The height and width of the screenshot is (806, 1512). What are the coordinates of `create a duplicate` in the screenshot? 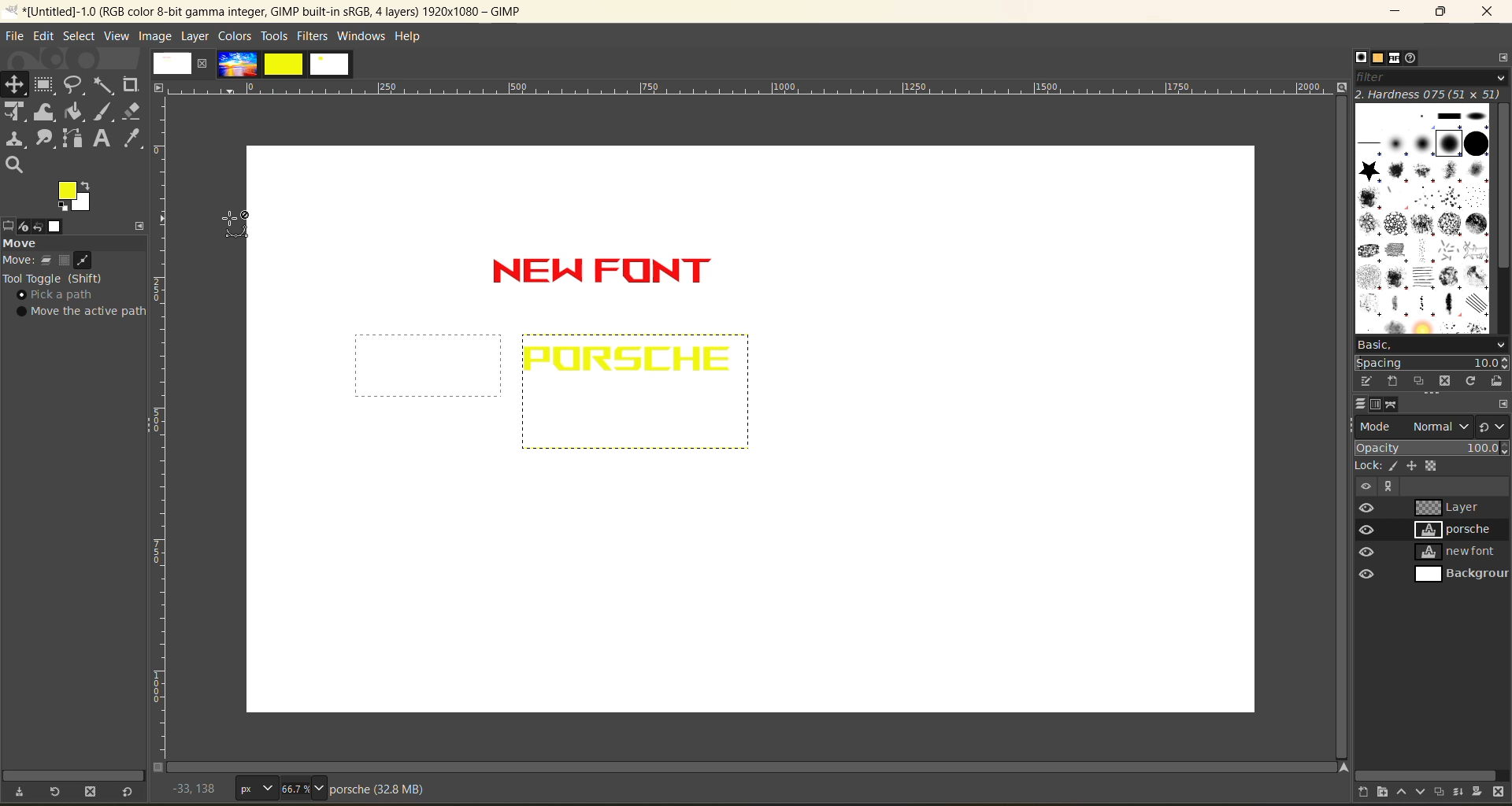 It's located at (1440, 791).